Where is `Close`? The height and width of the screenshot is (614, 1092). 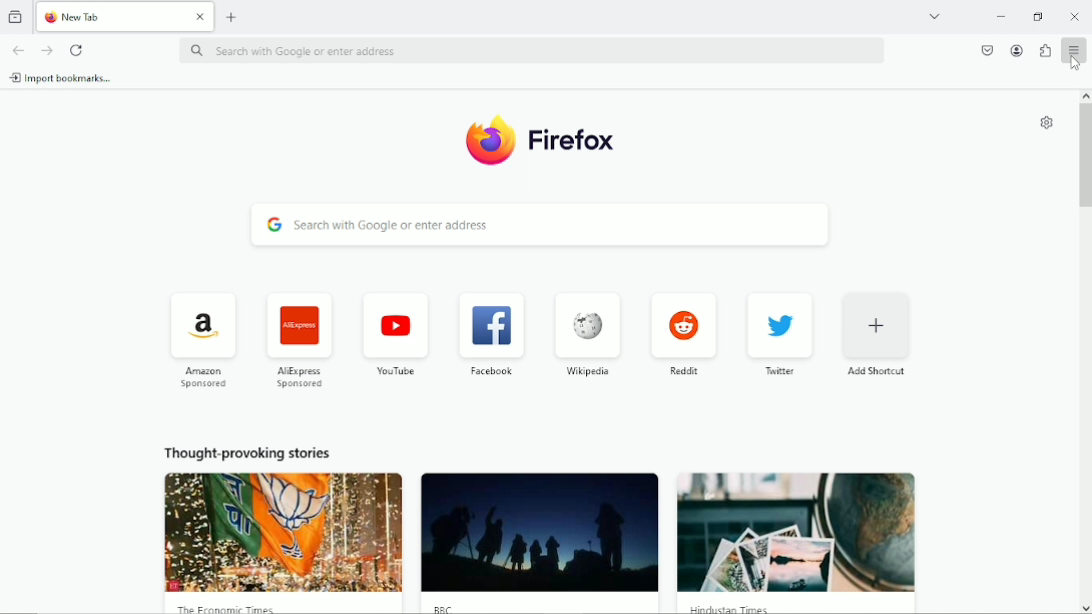 Close is located at coordinates (1073, 15).